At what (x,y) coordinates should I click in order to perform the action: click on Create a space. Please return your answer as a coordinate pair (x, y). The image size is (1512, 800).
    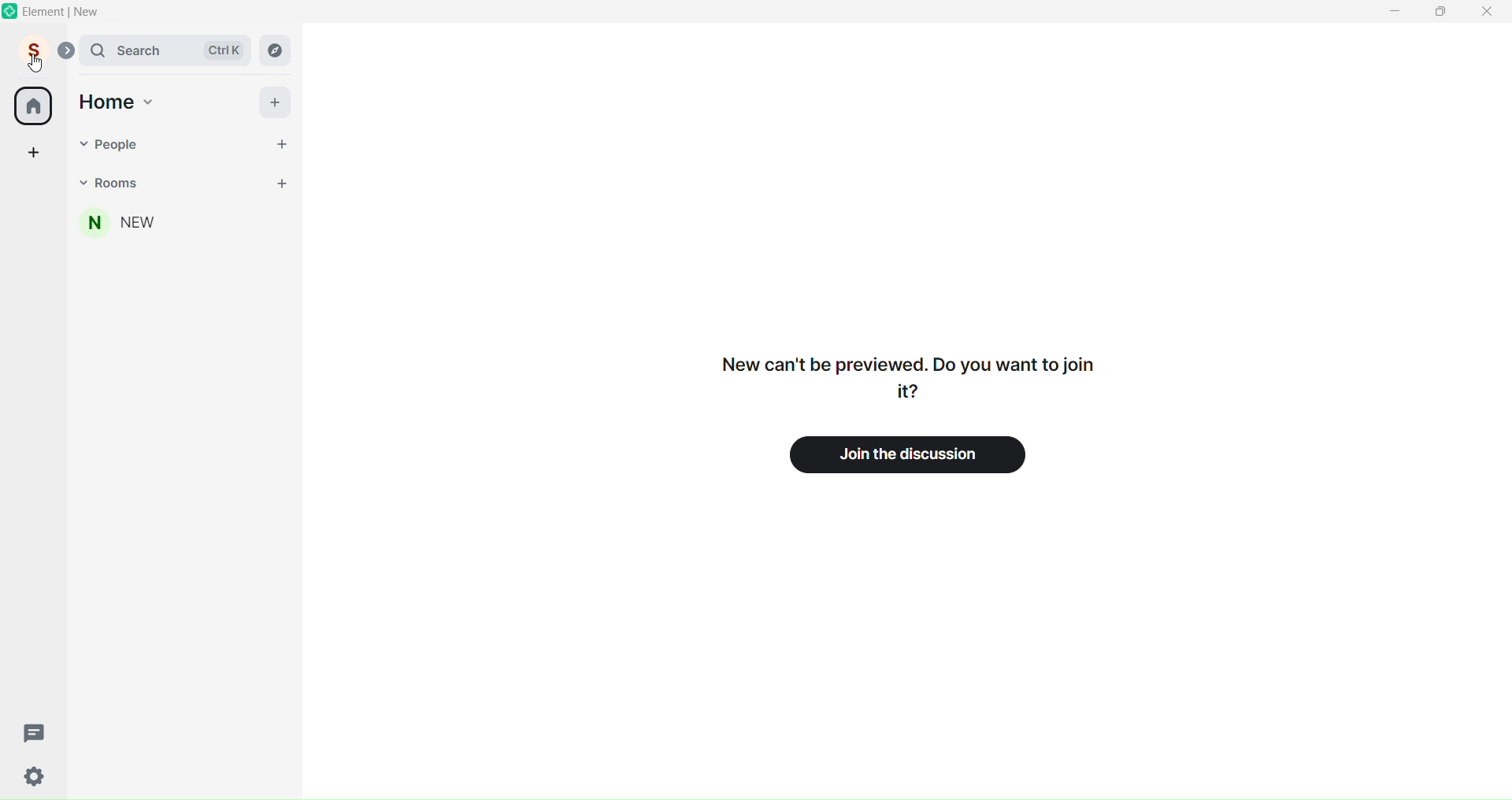
    Looking at the image, I should click on (33, 151).